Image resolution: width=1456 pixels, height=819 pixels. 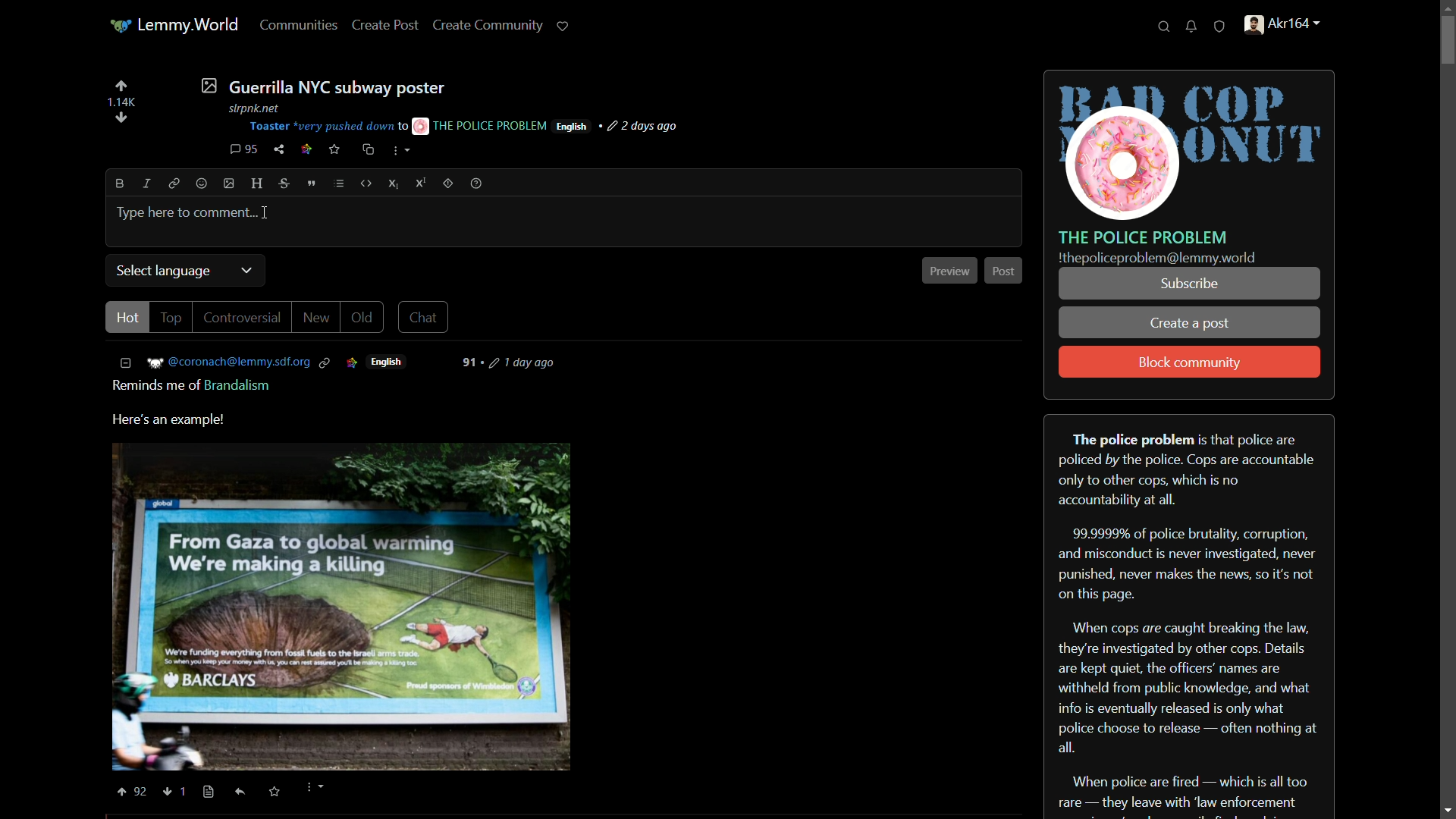 I want to click on image, so click(x=343, y=607).